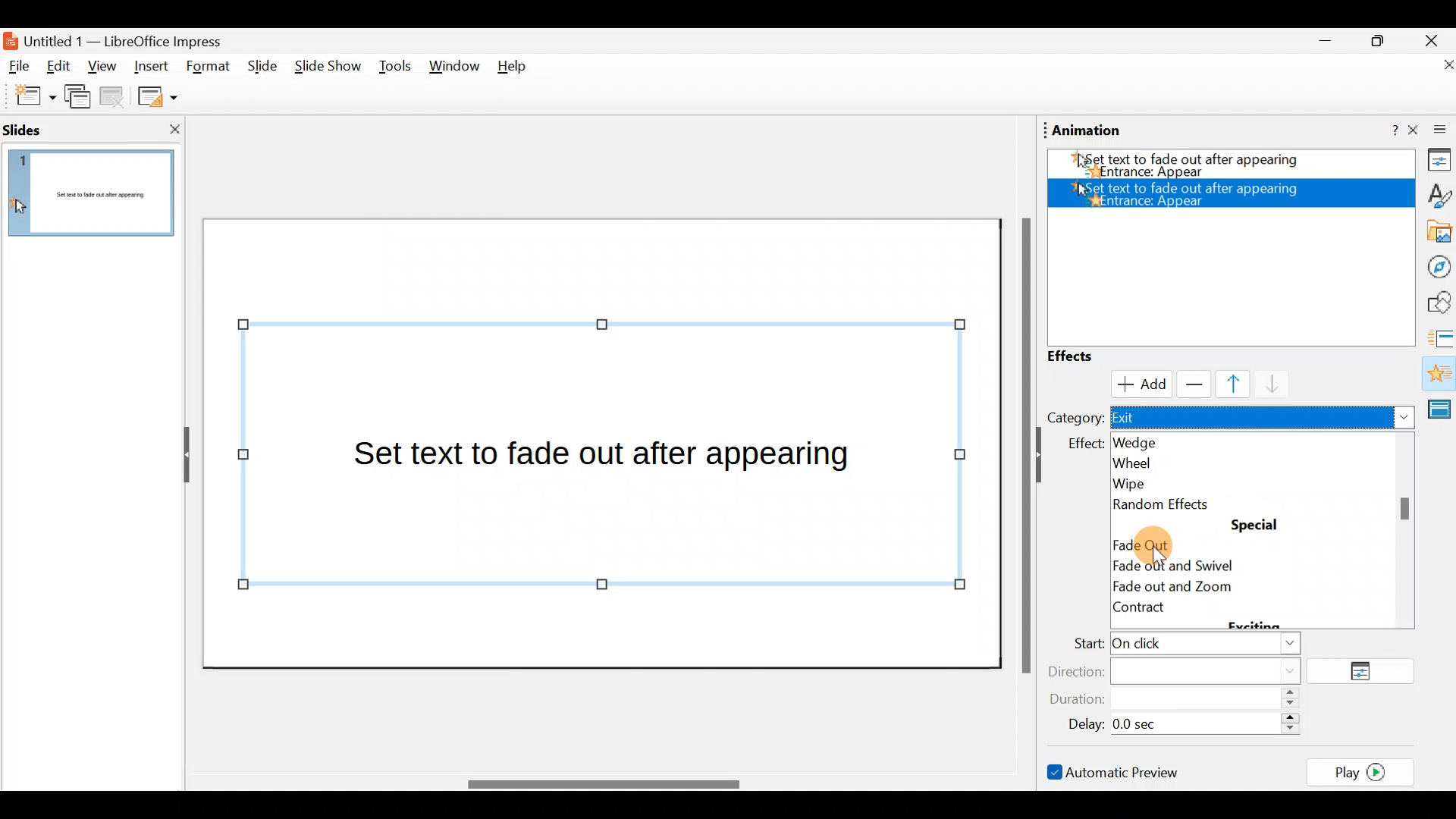  I want to click on Close, so click(1432, 39).